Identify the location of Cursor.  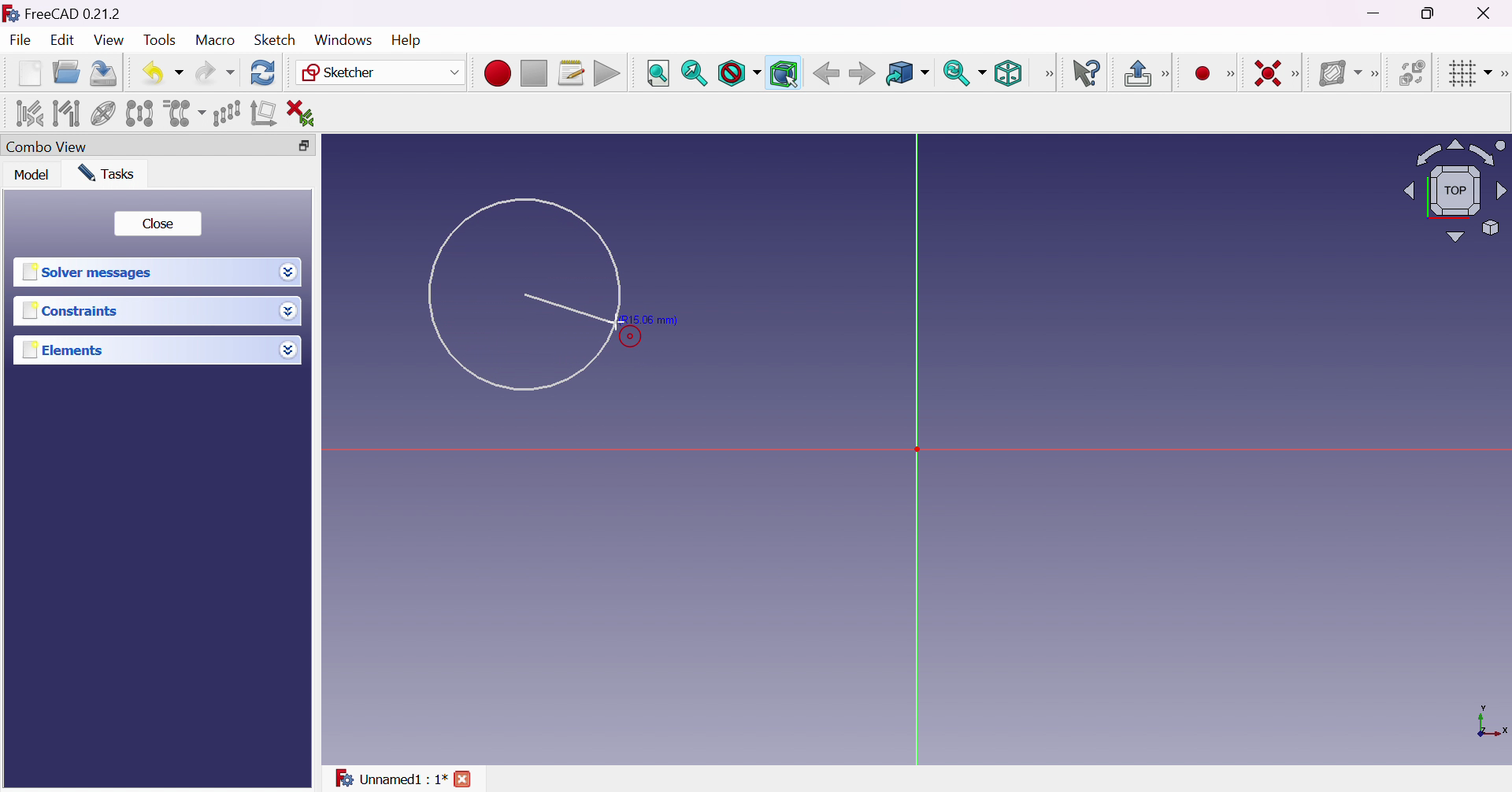
(618, 323).